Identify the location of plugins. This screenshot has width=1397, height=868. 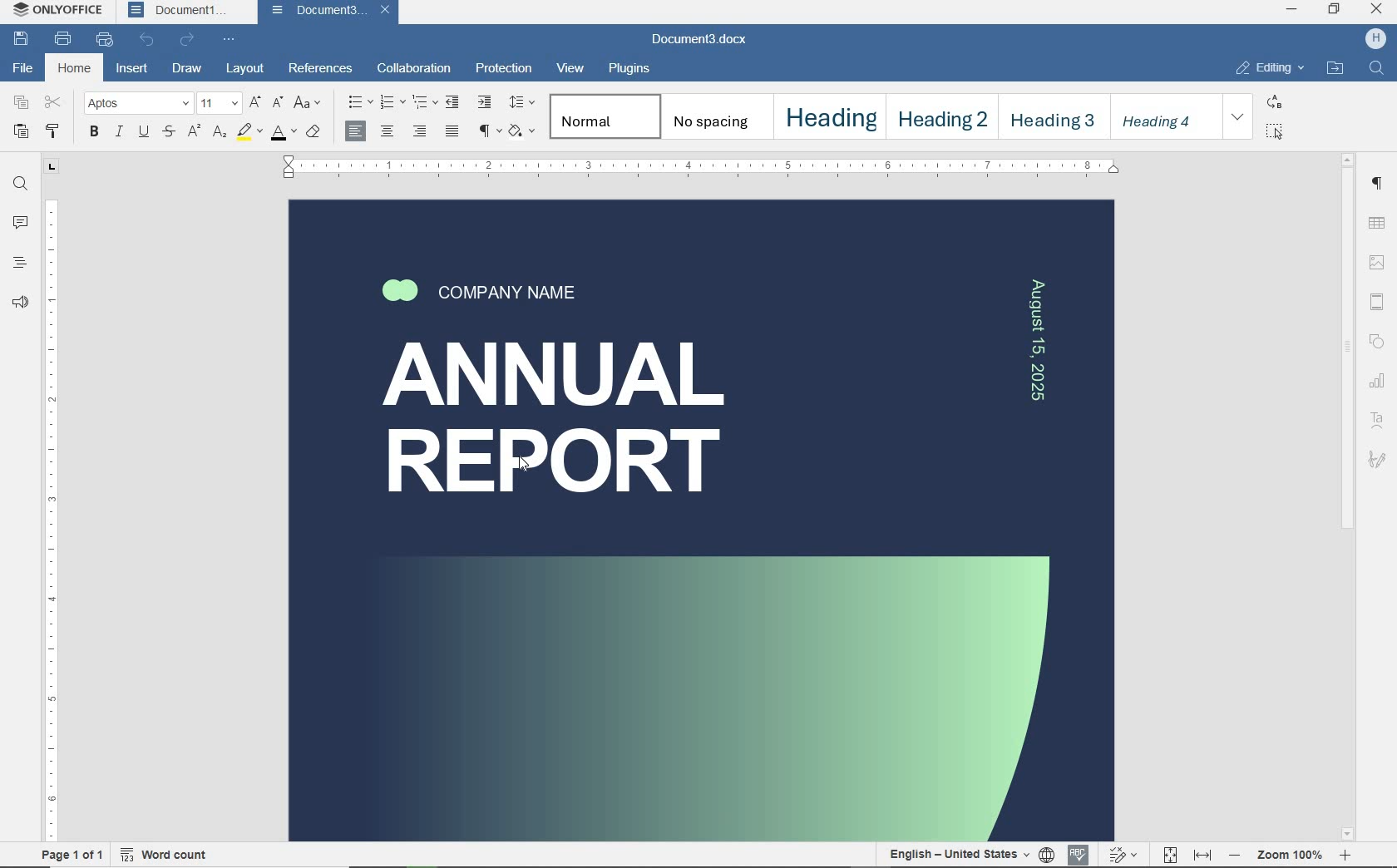
(631, 68).